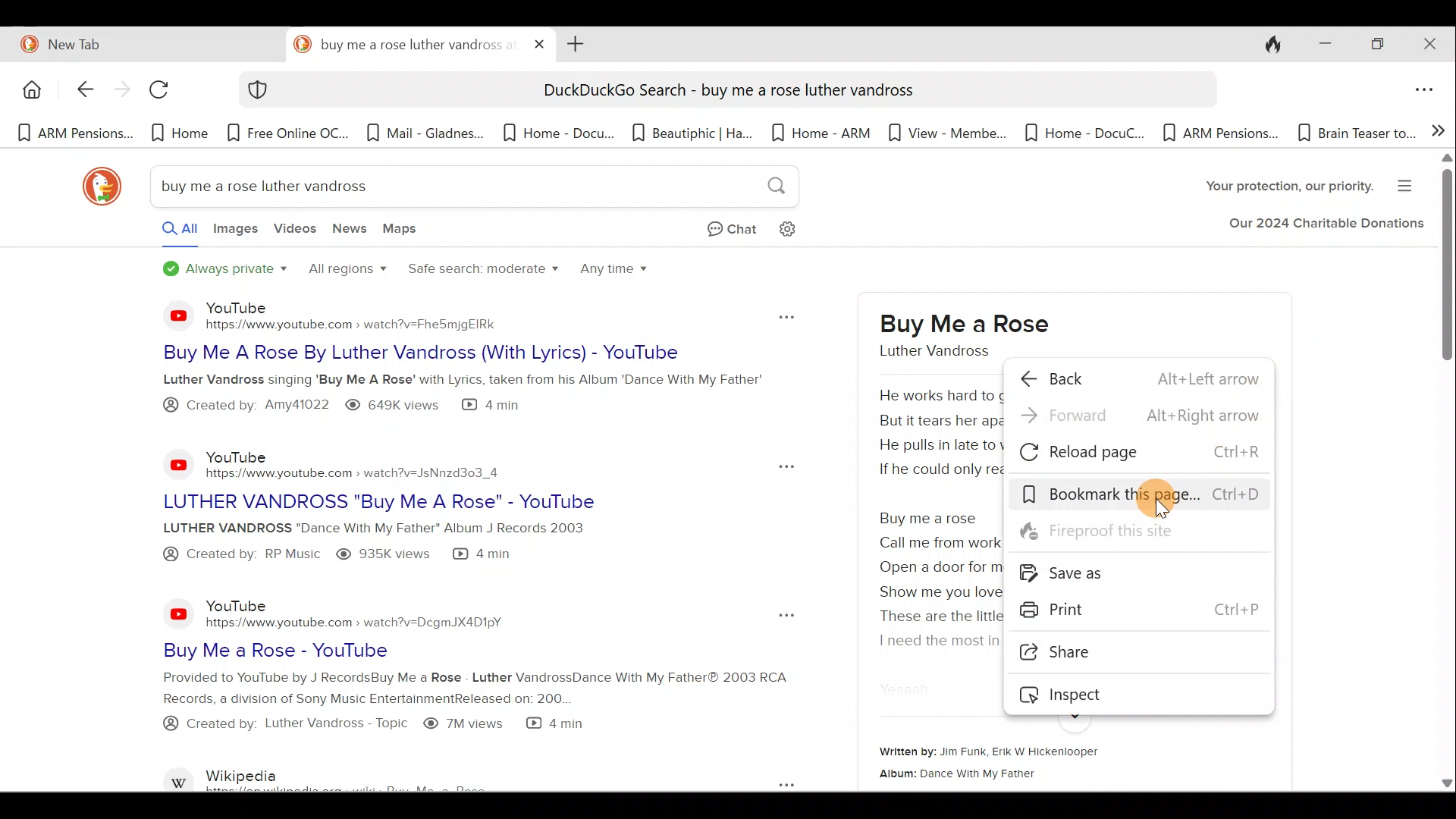 This screenshot has width=1456, height=819. I want to click on buy me a rose luther vandross, so click(470, 188).